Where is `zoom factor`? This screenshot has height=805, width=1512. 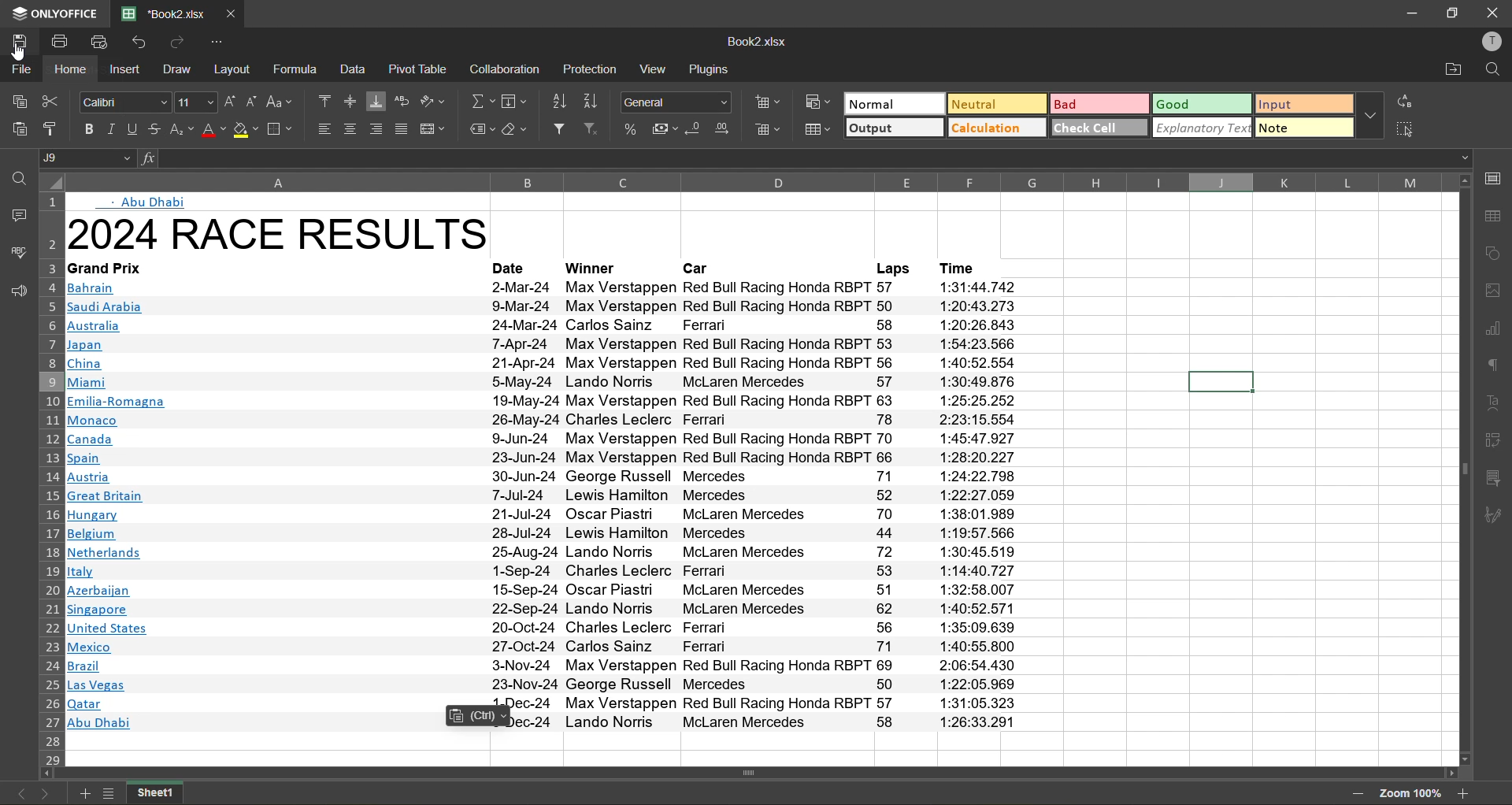
zoom factor is located at coordinates (1410, 792).